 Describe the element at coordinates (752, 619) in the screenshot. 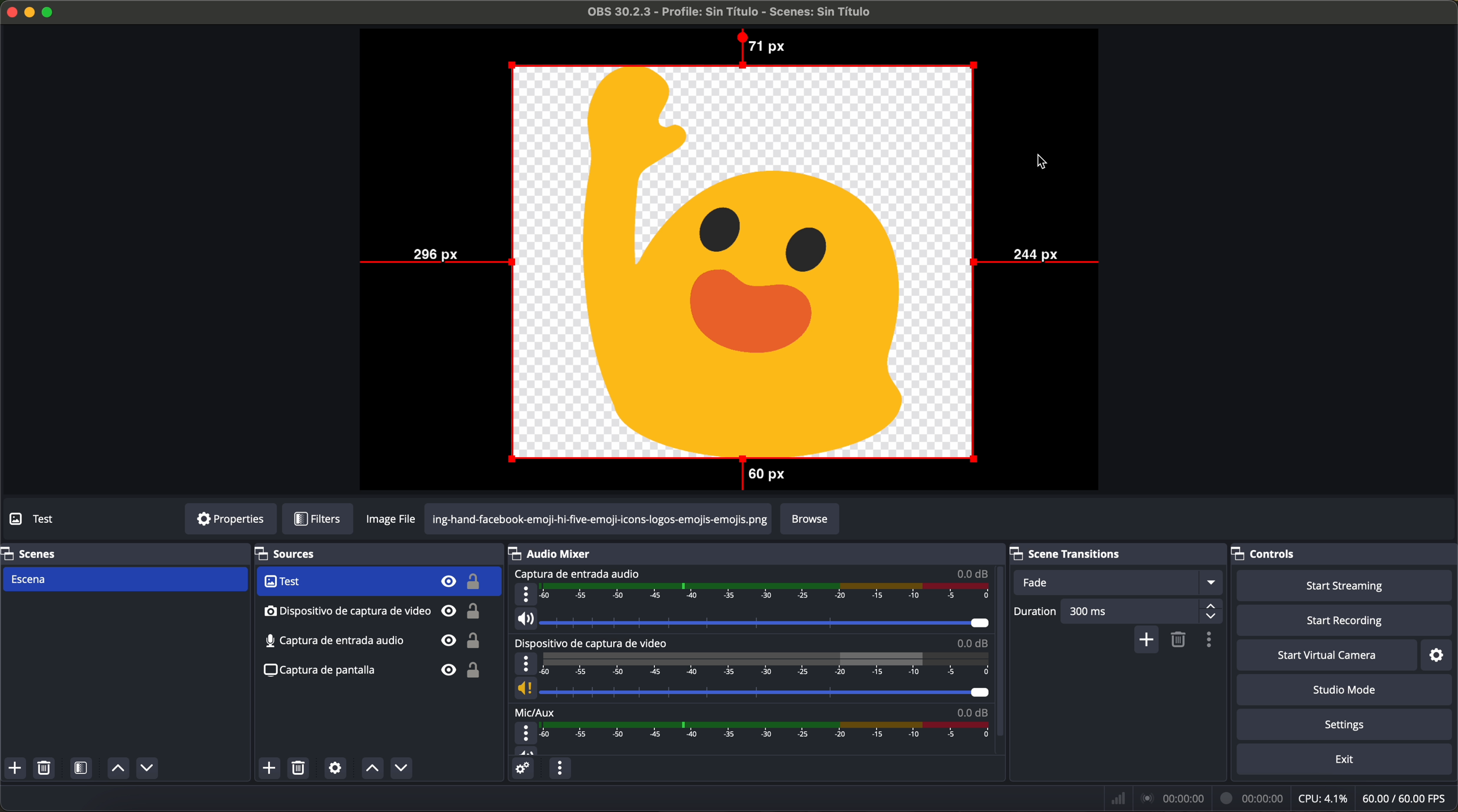

I see `vol` at that location.